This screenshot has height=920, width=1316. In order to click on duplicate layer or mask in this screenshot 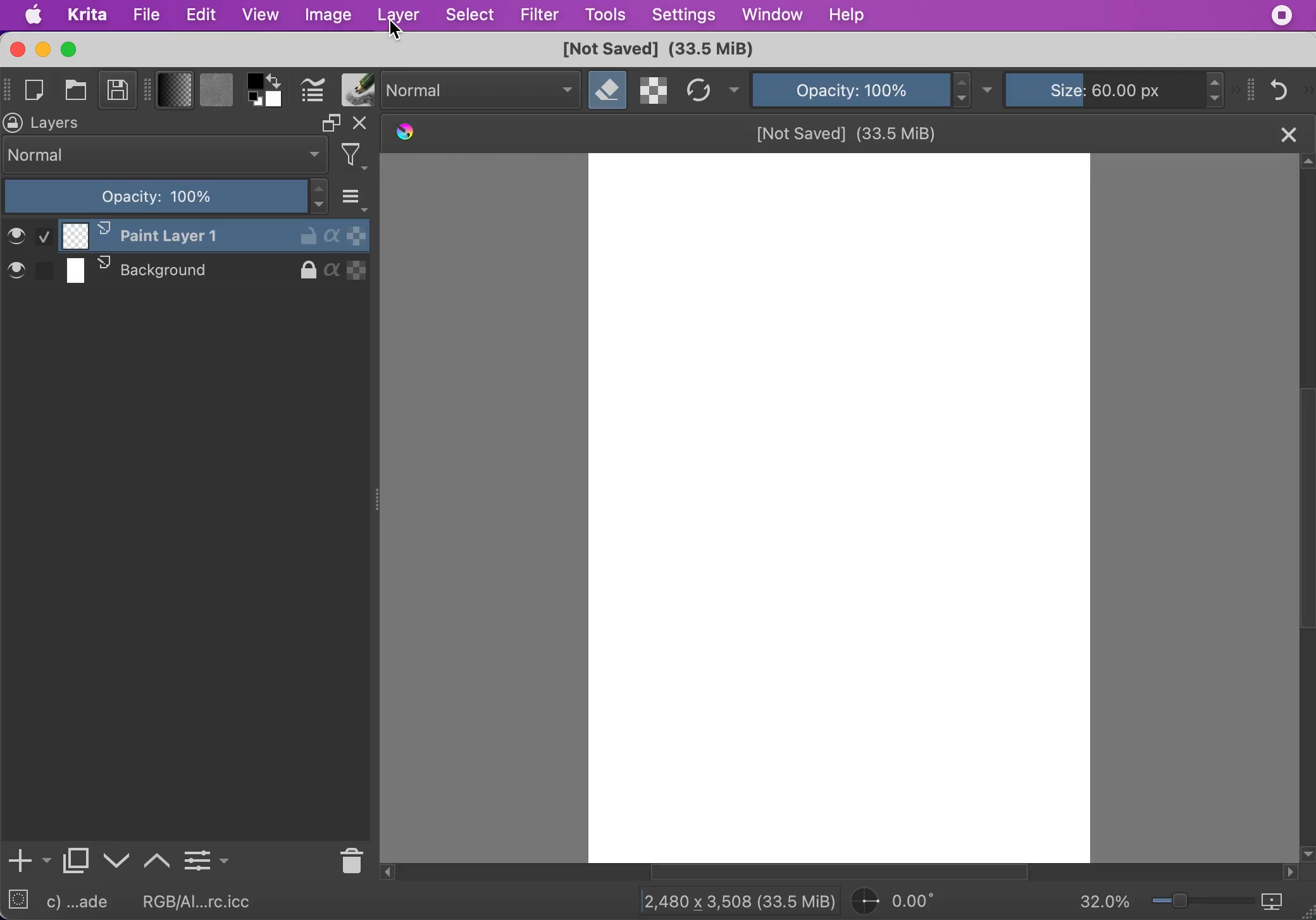, I will do `click(77, 864)`.